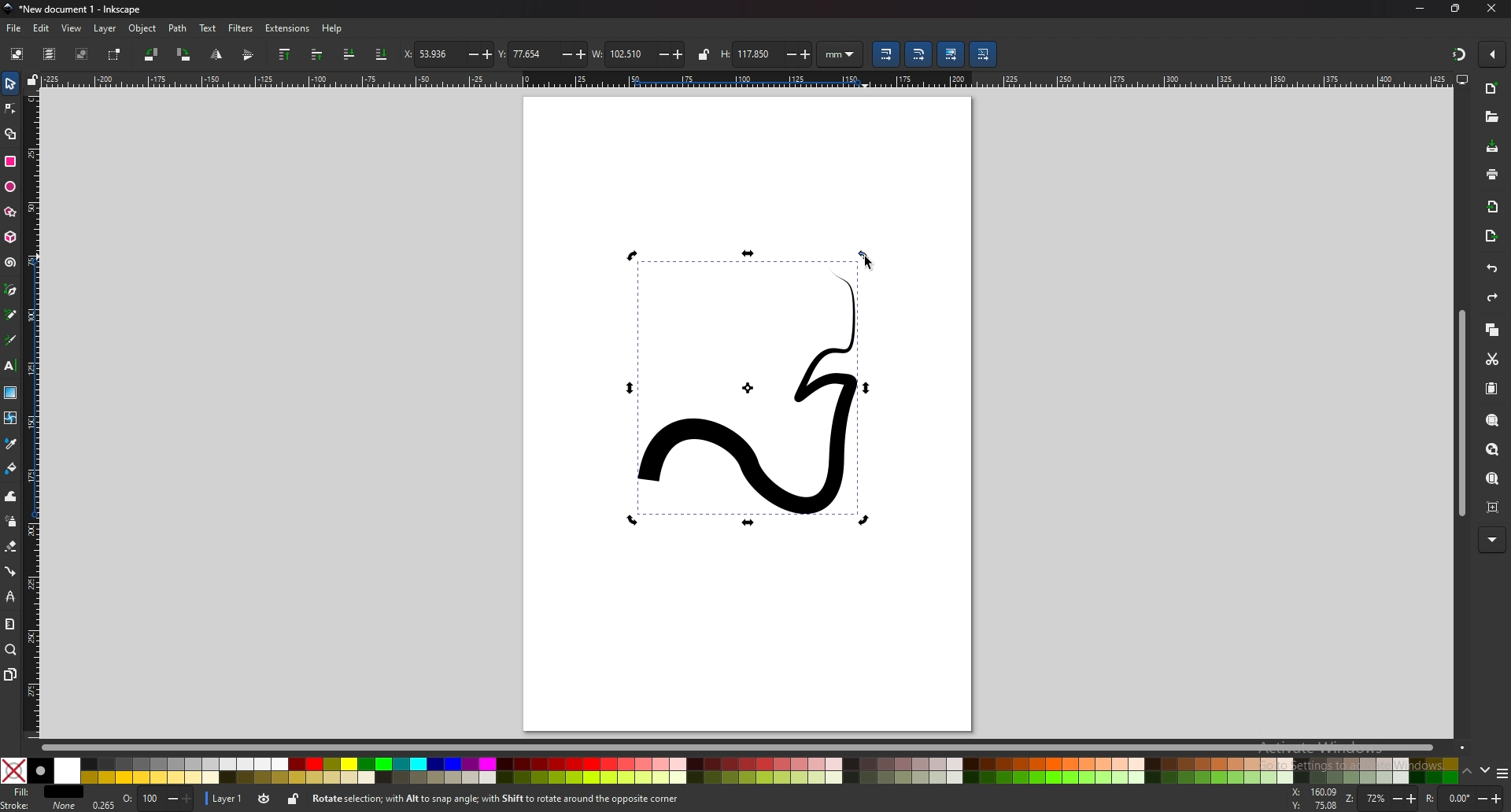  Describe the element at coordinates (286, 28) in the screenshot. I see `extensions` at that location.